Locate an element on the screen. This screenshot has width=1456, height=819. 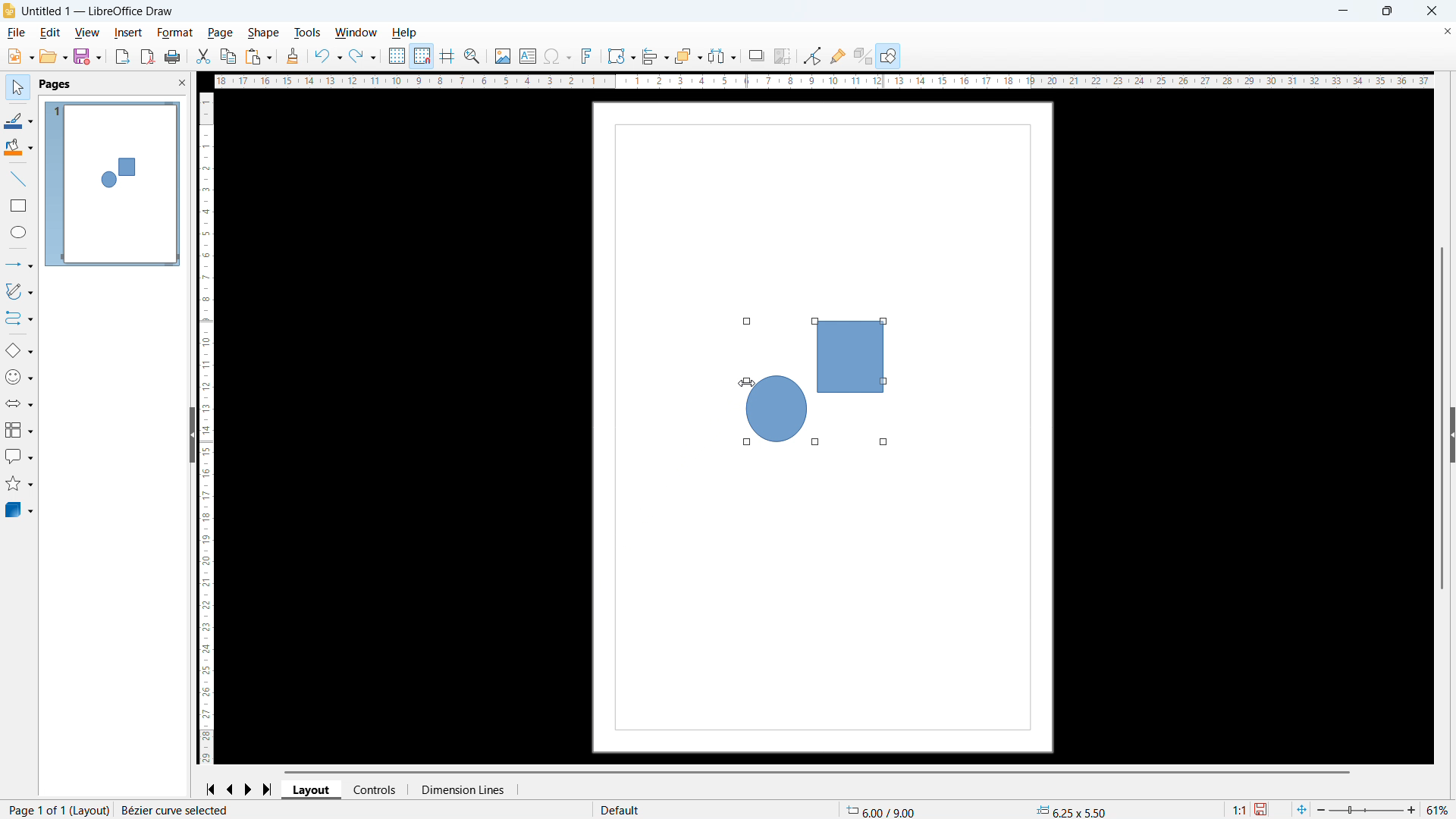
Ellipse  is located at coordinates (20, 232).